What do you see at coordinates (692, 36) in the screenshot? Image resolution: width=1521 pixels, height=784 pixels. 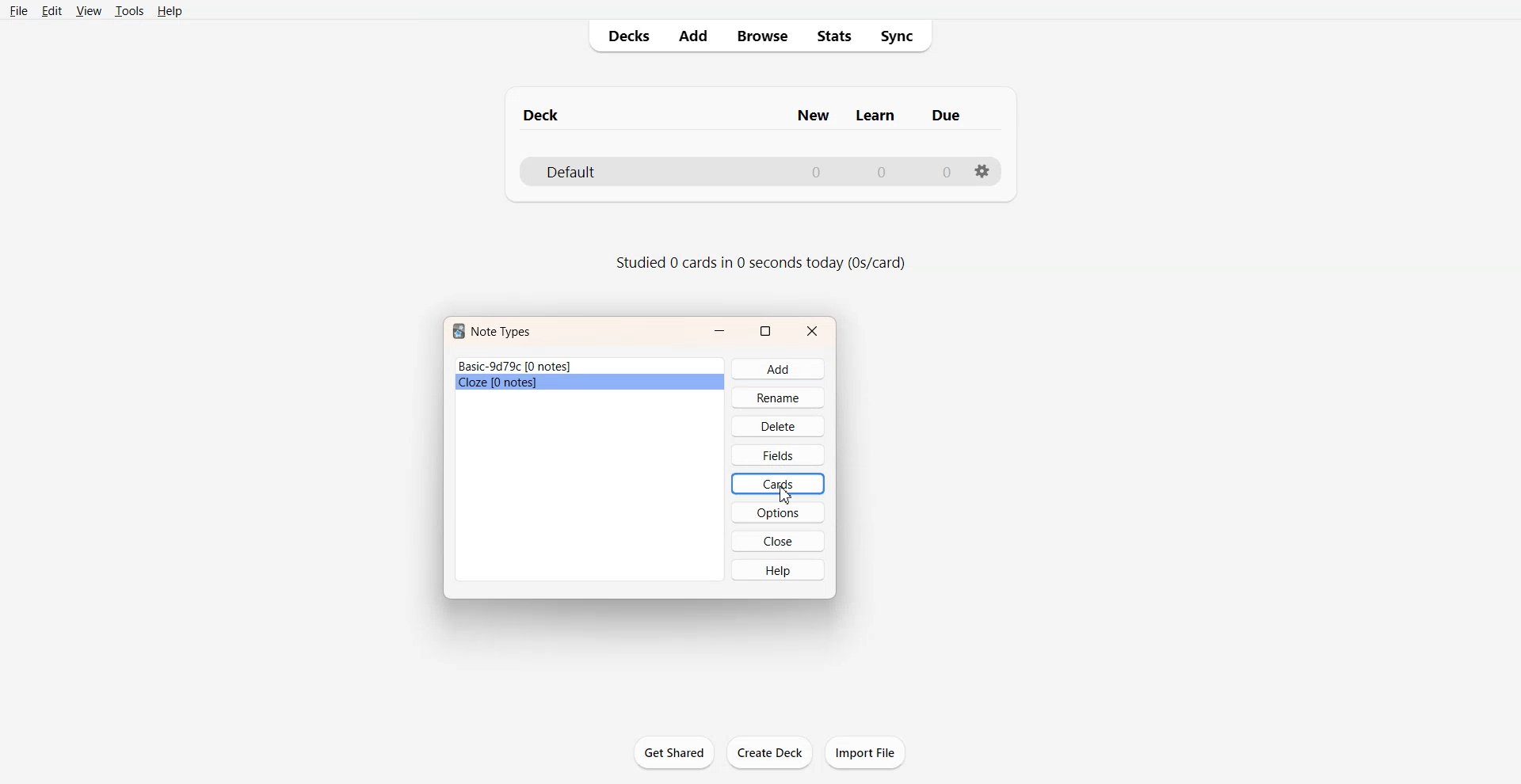 I see `Add` at bounding box center [692, 36].